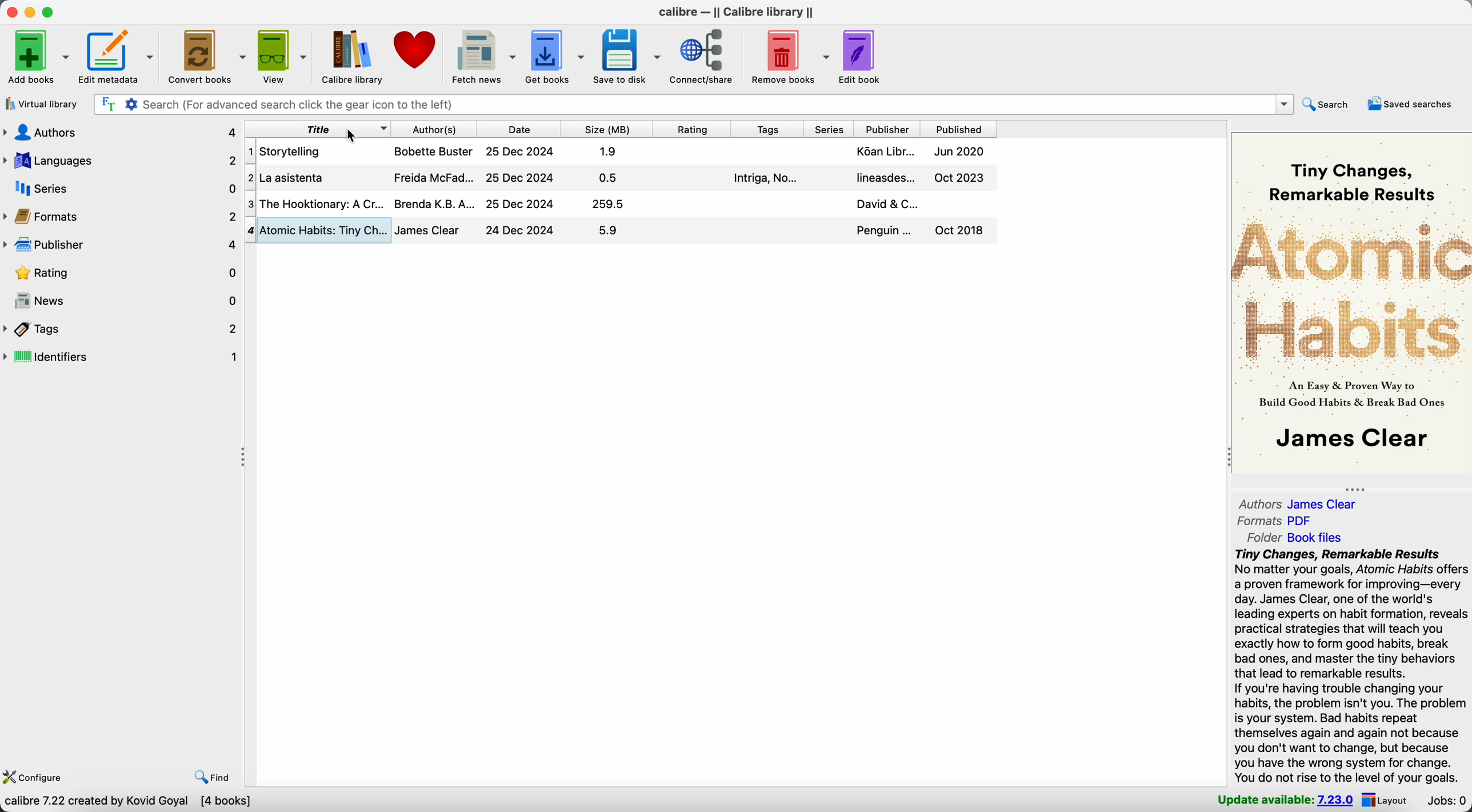 Image resolution: width=1472 pixels, height=812 pixels. Describe the element at coordinates (318, 129) in the screenshot. I see `title` at that location.